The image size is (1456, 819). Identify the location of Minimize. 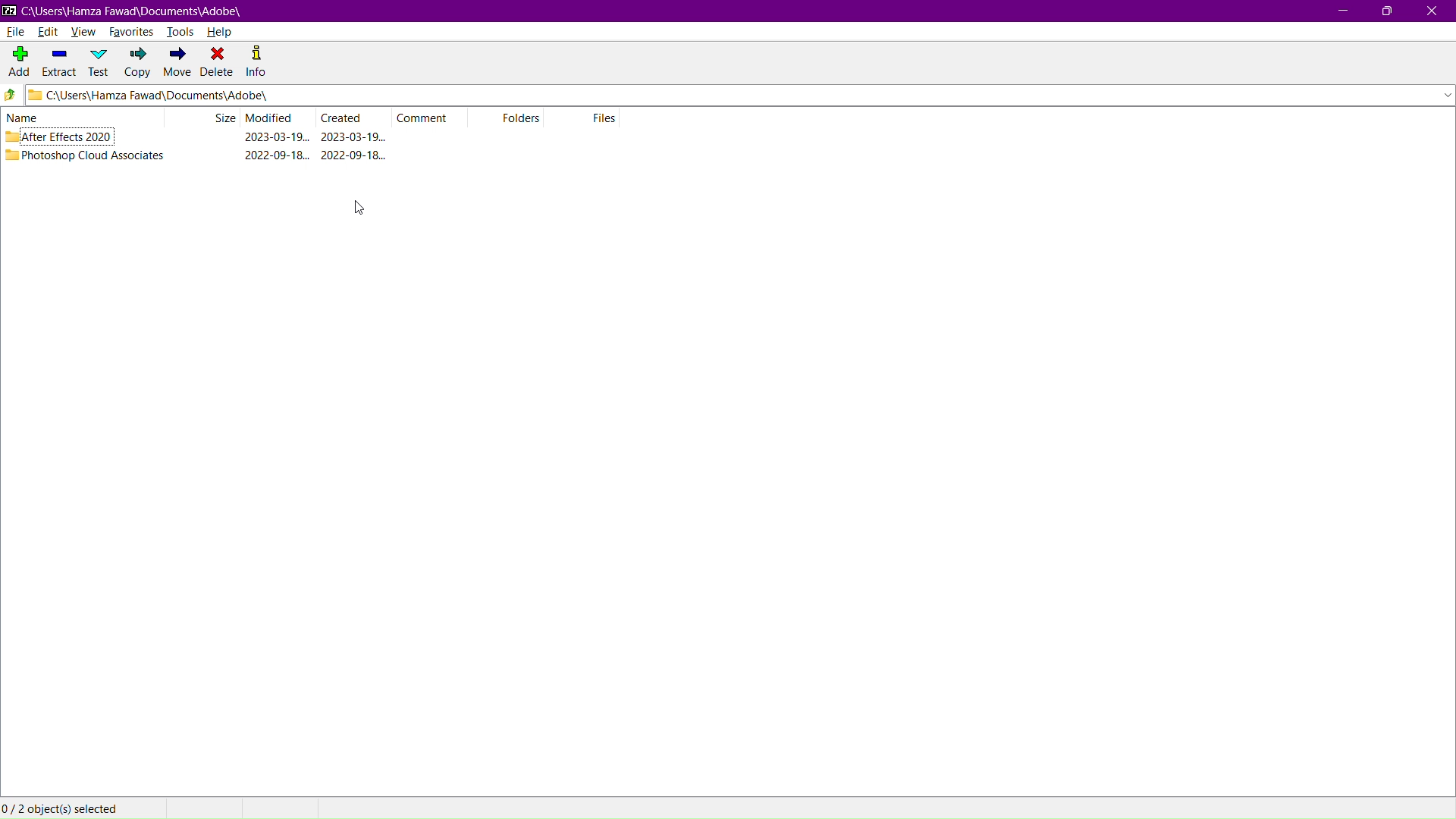
(1340, 11).